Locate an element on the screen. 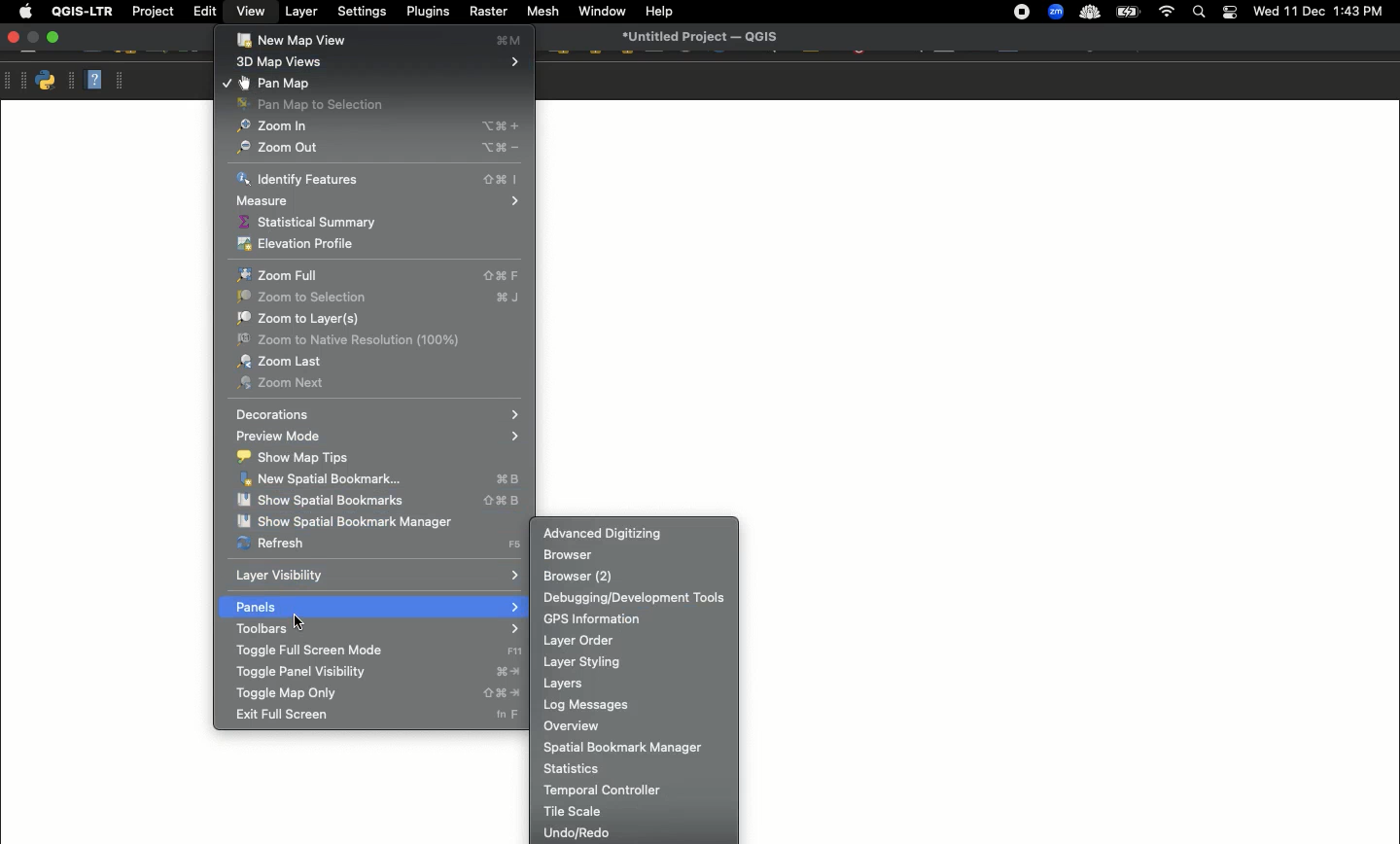 This screenshot has width=1400, height=844. Zoom next is located at coordinates (373, 383).